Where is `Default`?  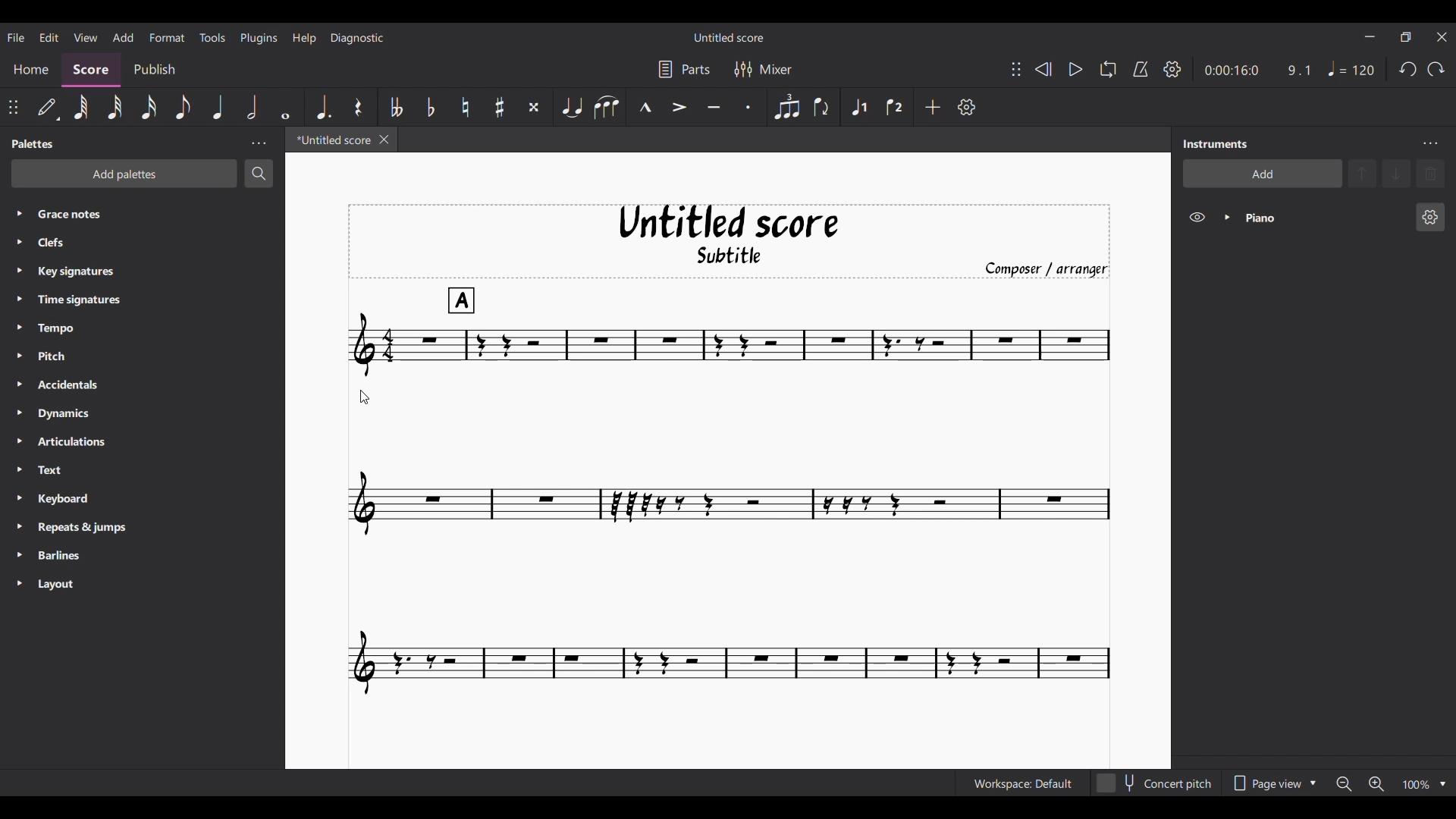
Default is located at coordinates (47, 106).